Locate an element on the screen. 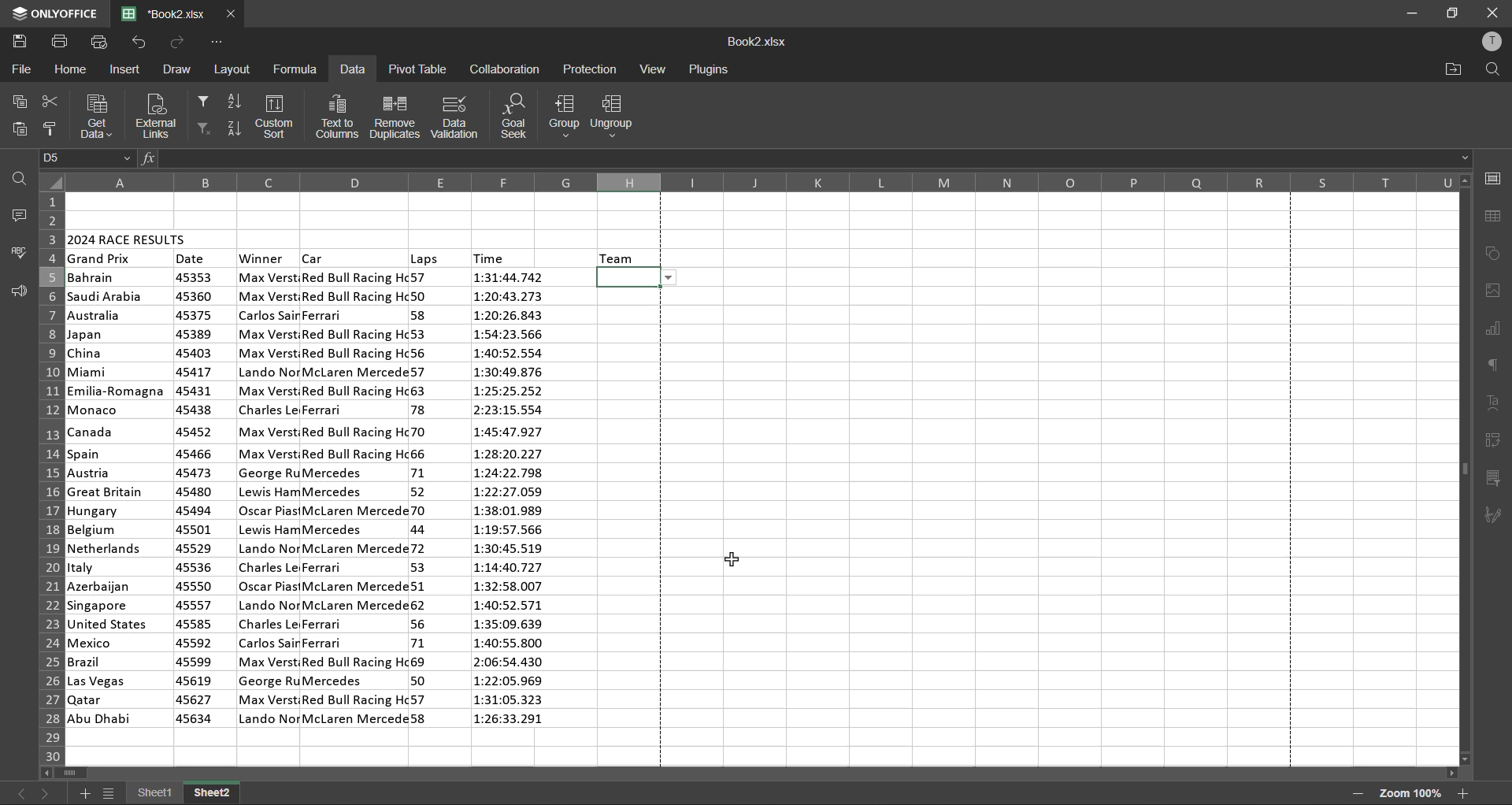 The height and width of the screenshot is (805, 1512). winner is located at coordinates (269, 497).